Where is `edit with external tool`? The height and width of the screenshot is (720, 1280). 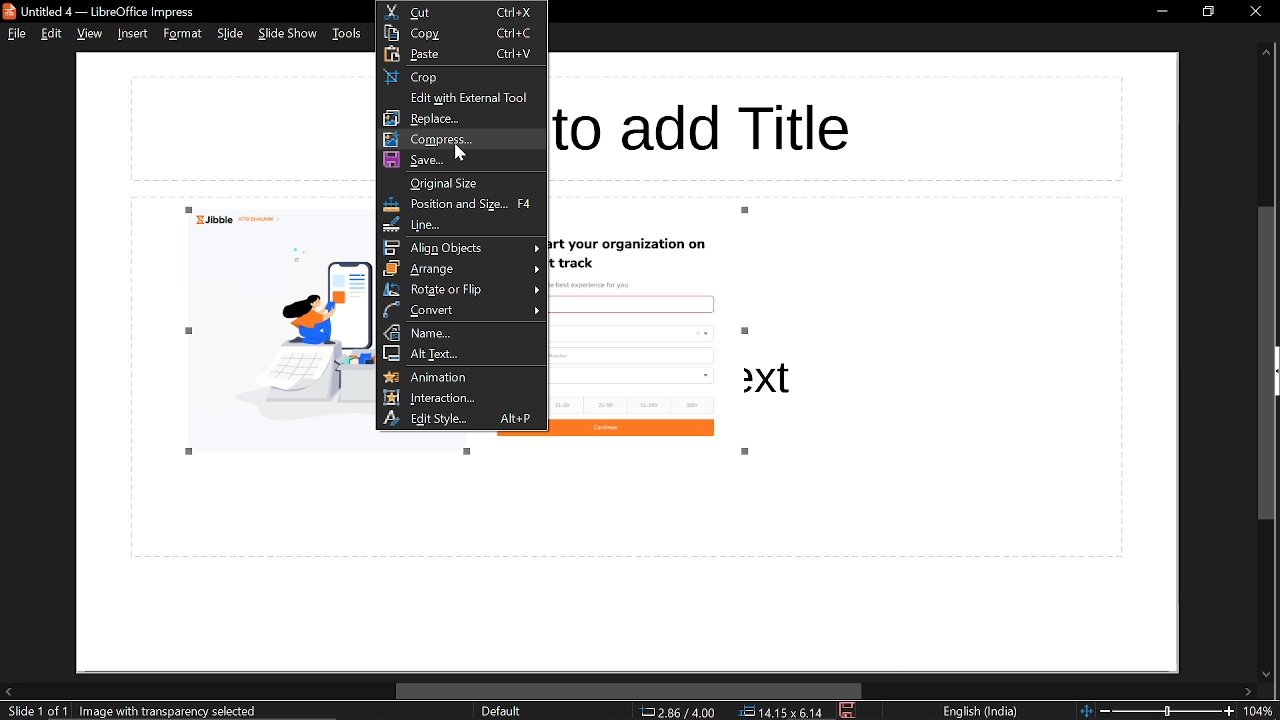
edit with external tool is located at coordinates (459, 98).